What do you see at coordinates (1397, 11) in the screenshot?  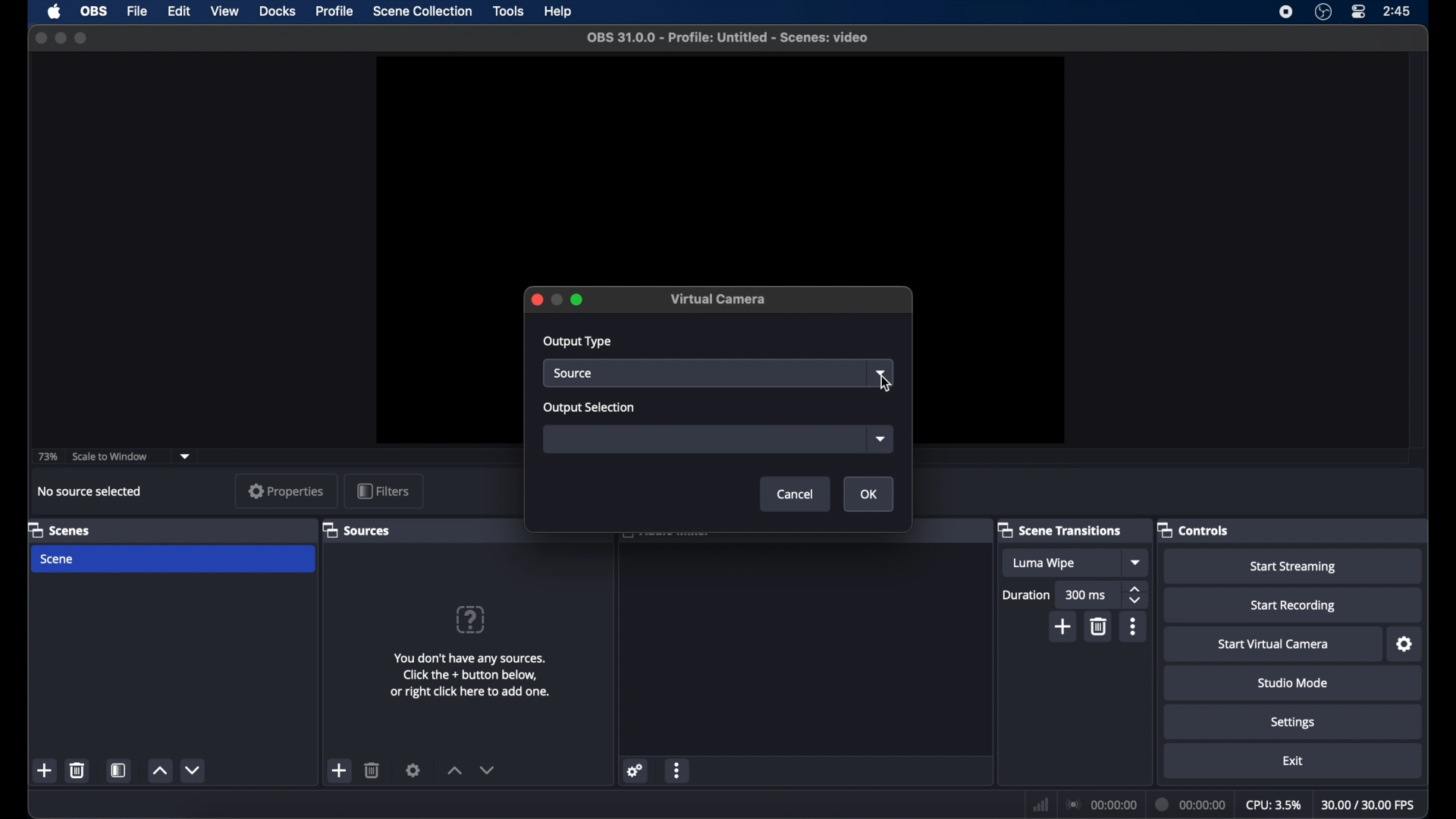 I see `time` at bounding box center [1397, 11].